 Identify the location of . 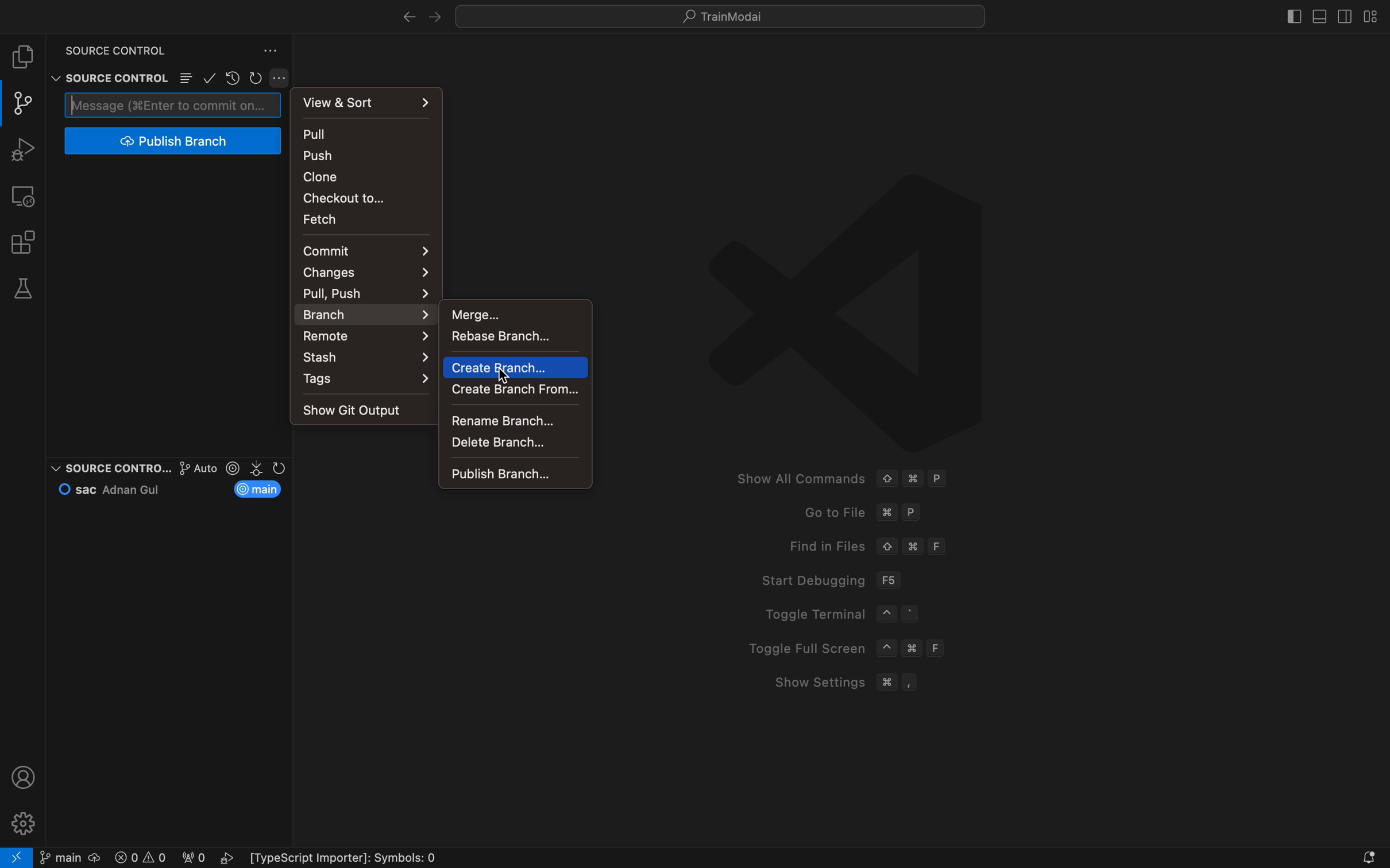
(271, 49).